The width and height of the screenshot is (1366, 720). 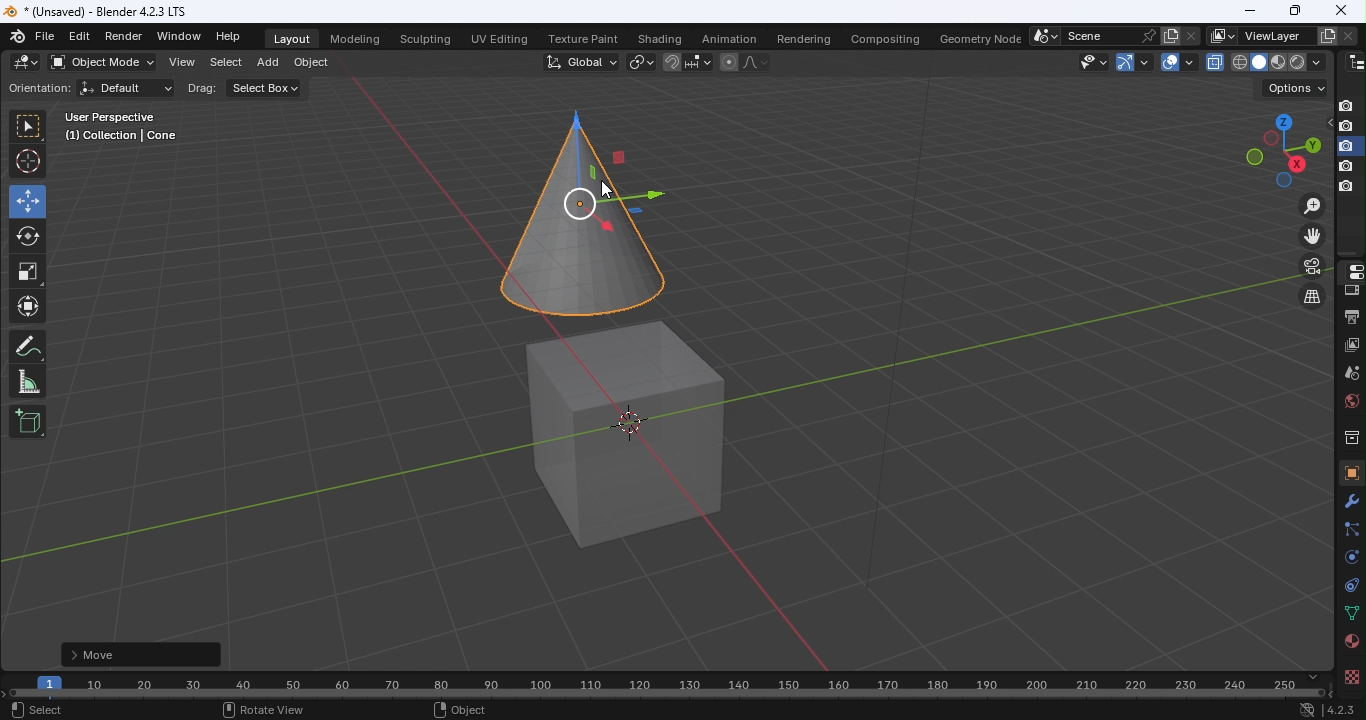 What do you see at coordinates (699, 61) in the screenshot?
I see `Snapping` at bounding box center [699, 61].